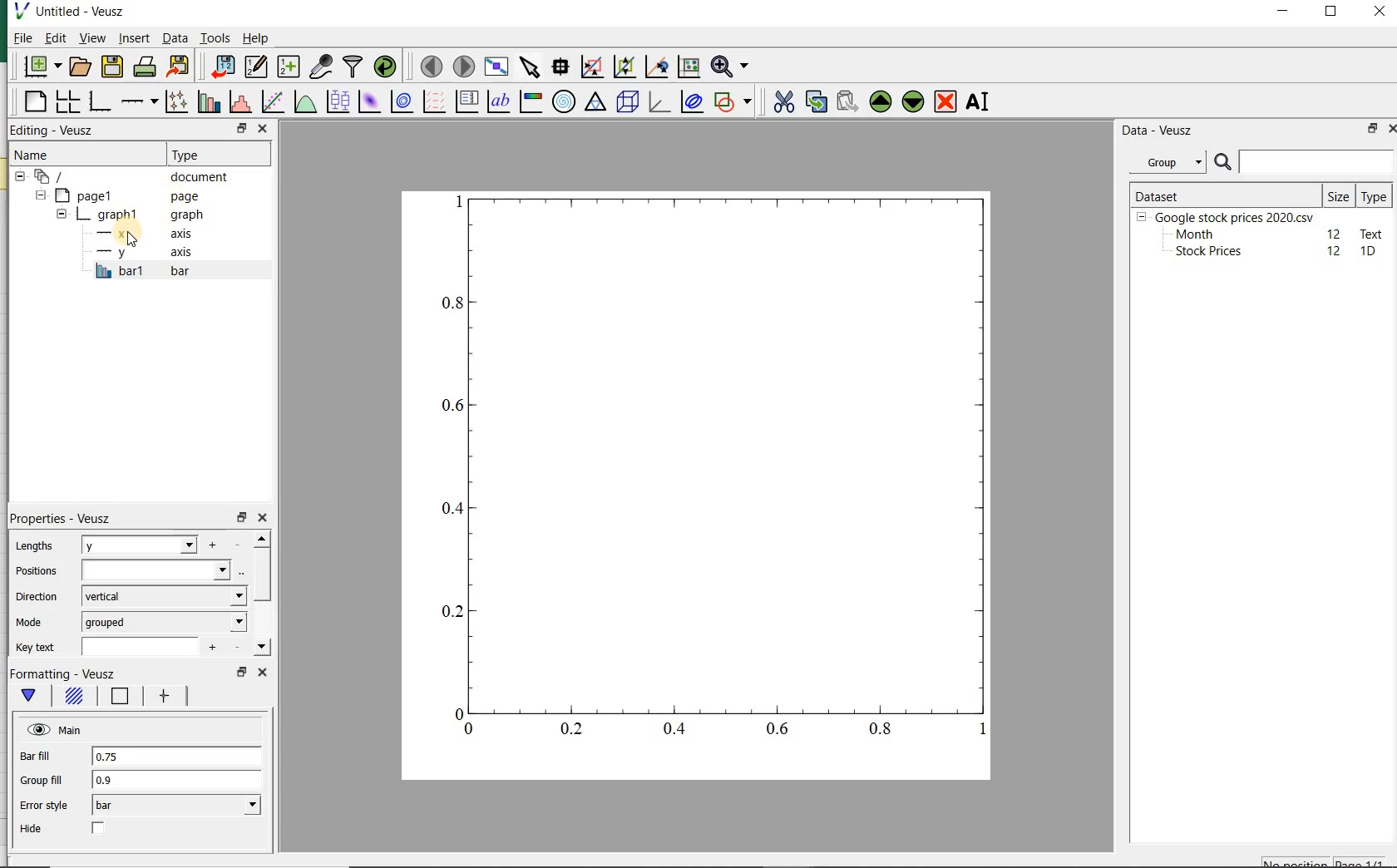 Image resolution: width=1397 pixels, height=868 pixels. Describe the element at coordinates (975, 104) in the screenshot. I see `renames the selected widget` at that location.